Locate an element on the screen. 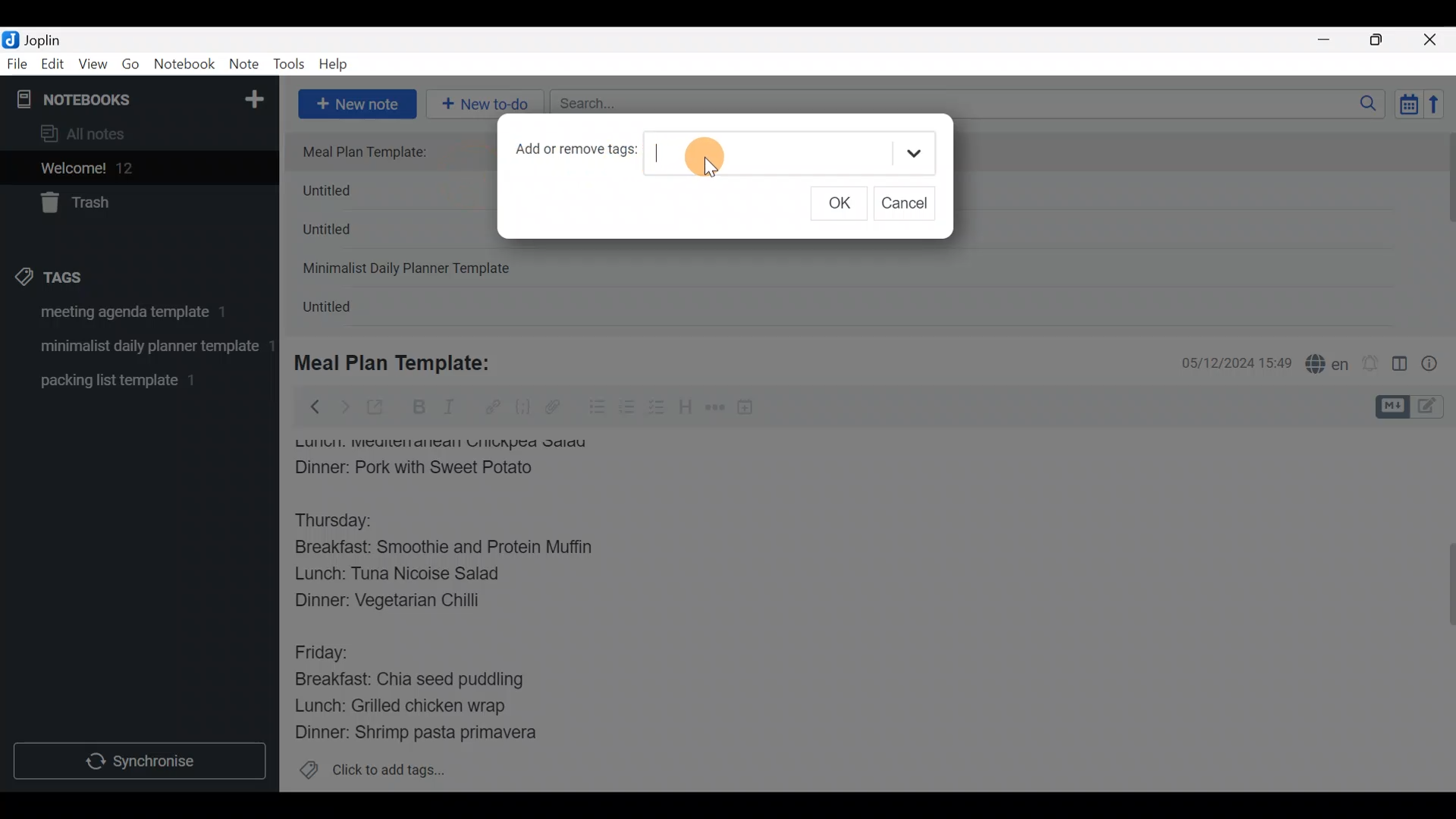  New is located at coordinates (253, 96).